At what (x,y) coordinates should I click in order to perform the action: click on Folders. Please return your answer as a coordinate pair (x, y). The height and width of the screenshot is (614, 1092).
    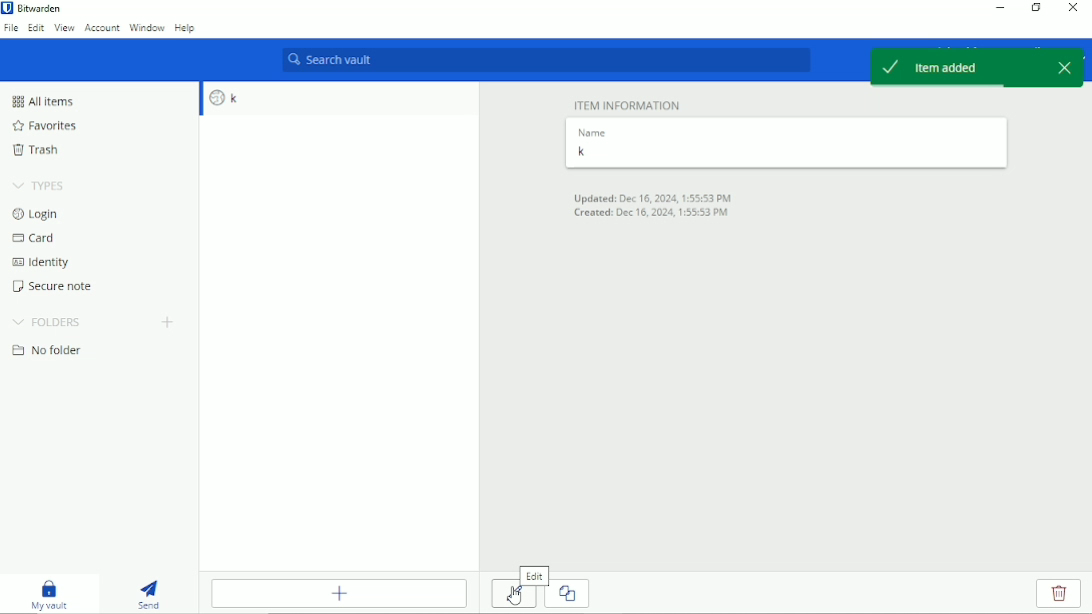
    Looking at the image, I should click on (47, 323).